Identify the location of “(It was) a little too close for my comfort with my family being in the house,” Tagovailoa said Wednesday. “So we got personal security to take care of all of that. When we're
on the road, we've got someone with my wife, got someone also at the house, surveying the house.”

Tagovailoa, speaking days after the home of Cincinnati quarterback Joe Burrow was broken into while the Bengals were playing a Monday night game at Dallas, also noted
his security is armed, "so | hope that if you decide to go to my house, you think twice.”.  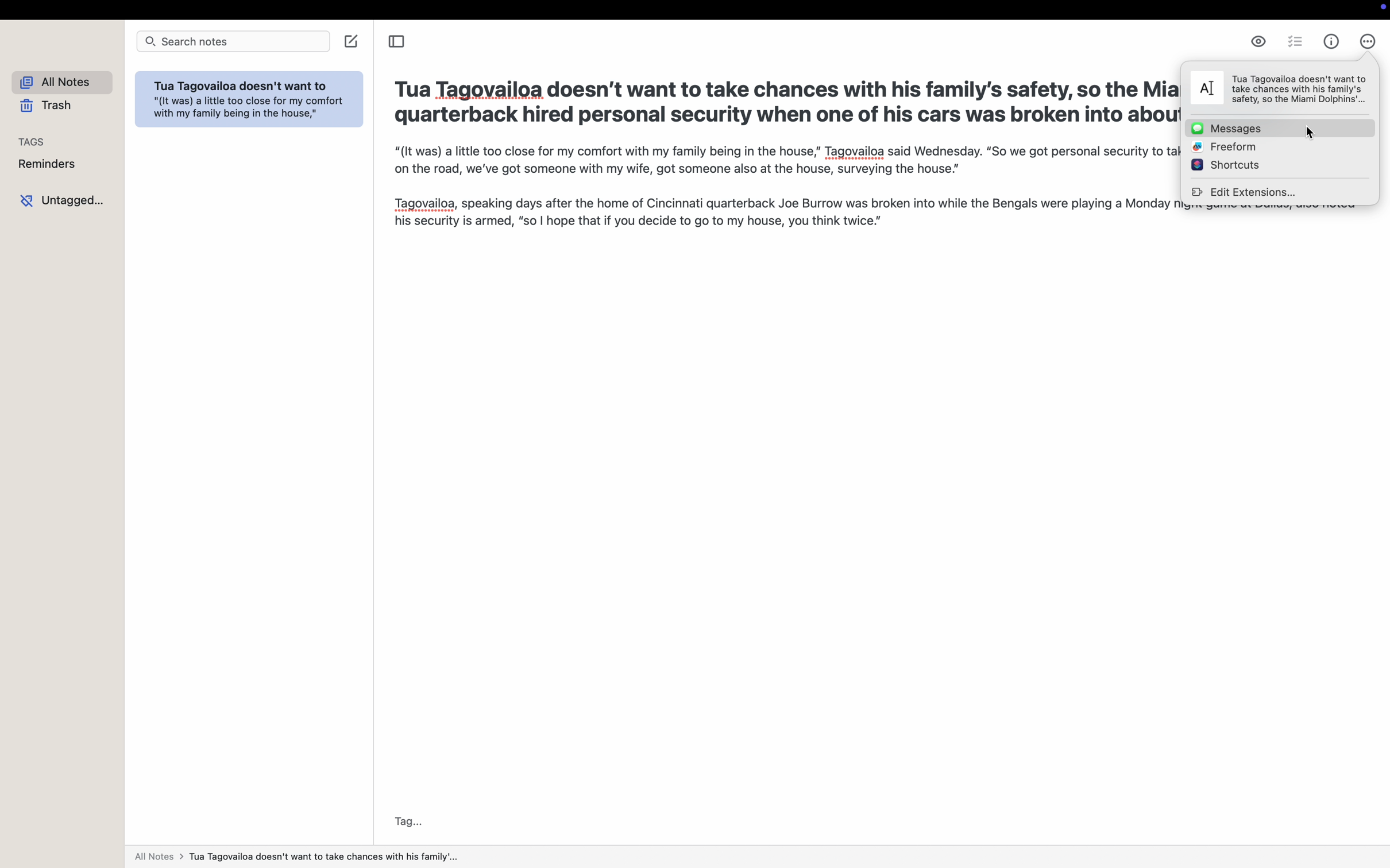
(776, 186).